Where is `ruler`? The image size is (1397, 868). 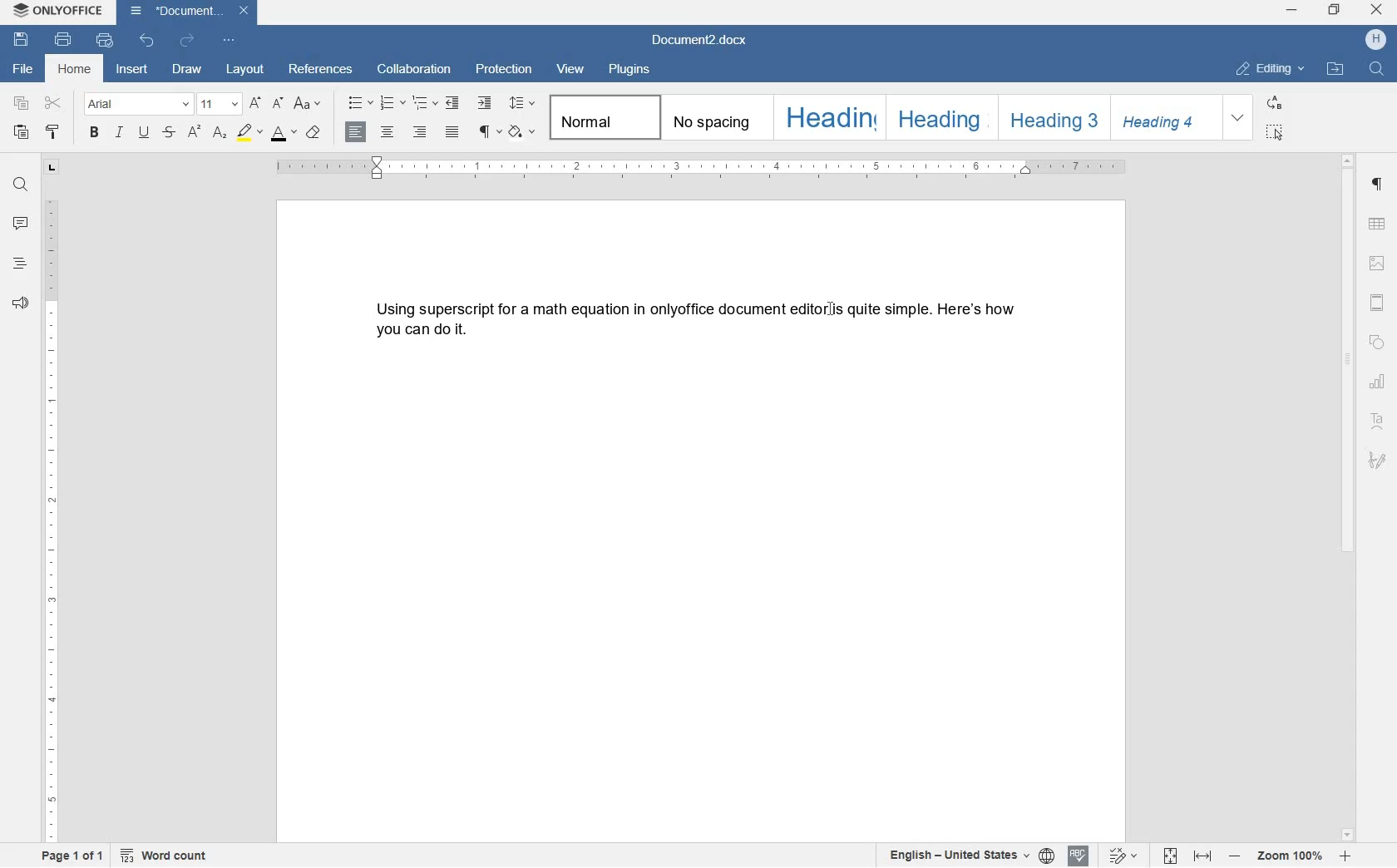 ruler is located at coordinates (702, 167).